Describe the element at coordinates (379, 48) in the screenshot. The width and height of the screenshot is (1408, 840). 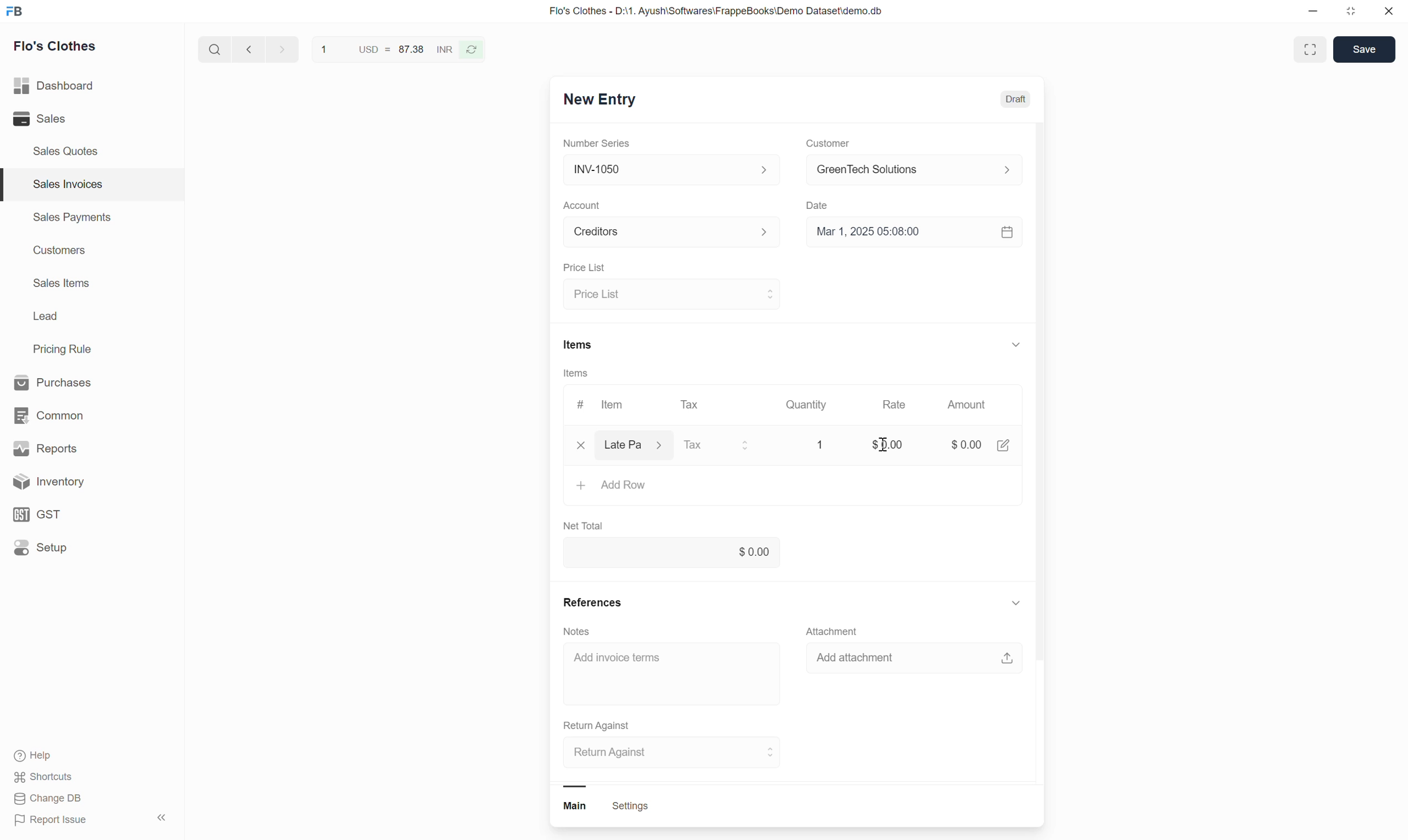
I see `USD = 87.38 INR` at that location.